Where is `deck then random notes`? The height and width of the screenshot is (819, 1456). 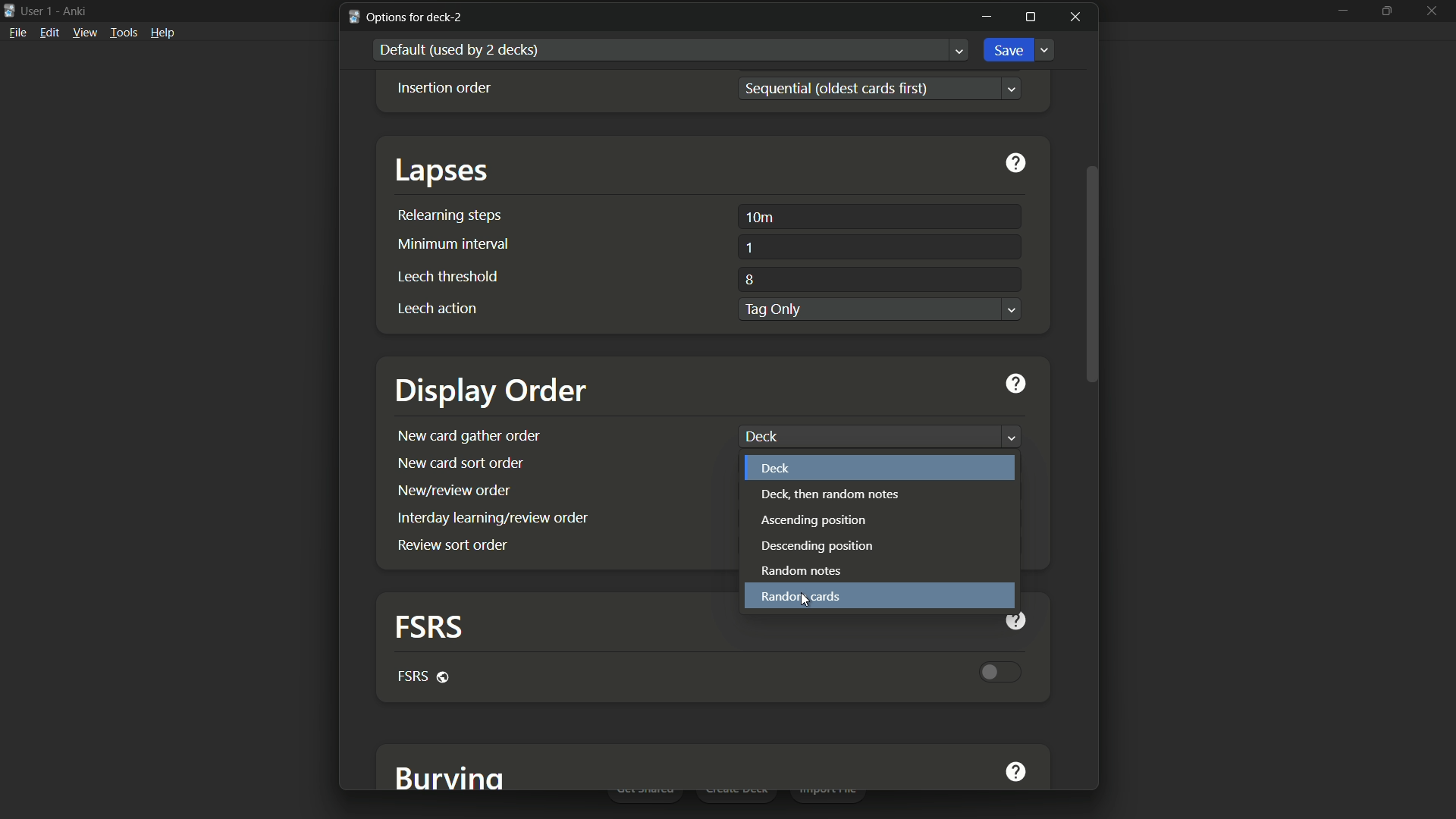 deck then random notes is located at coordinates (830, 494).